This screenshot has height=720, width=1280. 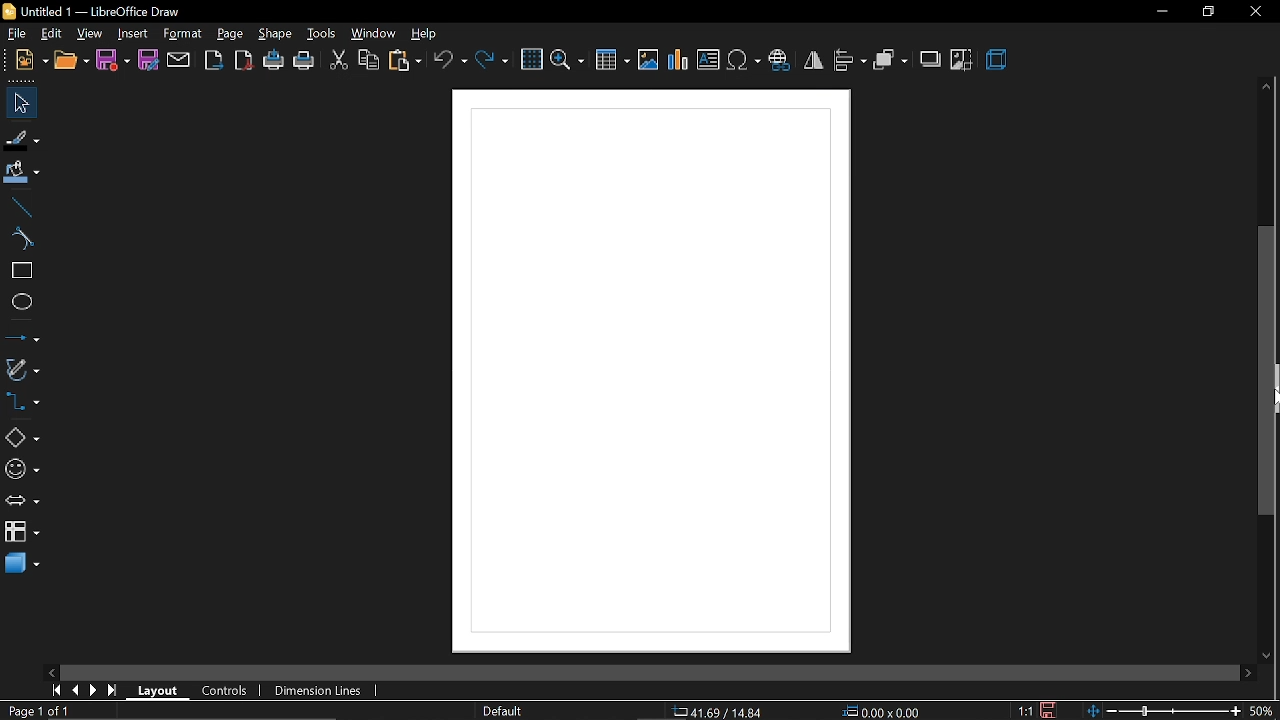 What do you see at coordinates (22, 172) in the screenshot?
I see `fill color` at bounding box center [22, 172].